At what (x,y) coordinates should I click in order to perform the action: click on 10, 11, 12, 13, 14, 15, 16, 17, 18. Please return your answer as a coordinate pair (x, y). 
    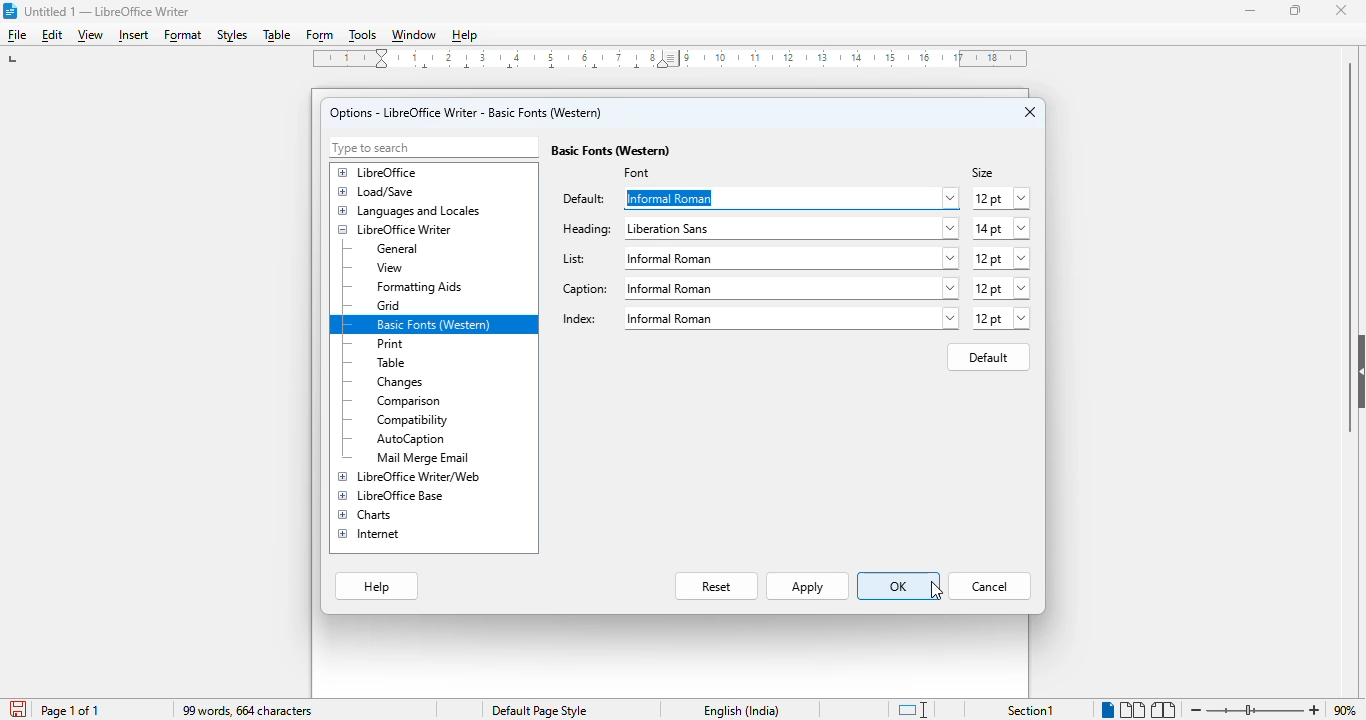
    Looking at the image, I should click on (858, 57).